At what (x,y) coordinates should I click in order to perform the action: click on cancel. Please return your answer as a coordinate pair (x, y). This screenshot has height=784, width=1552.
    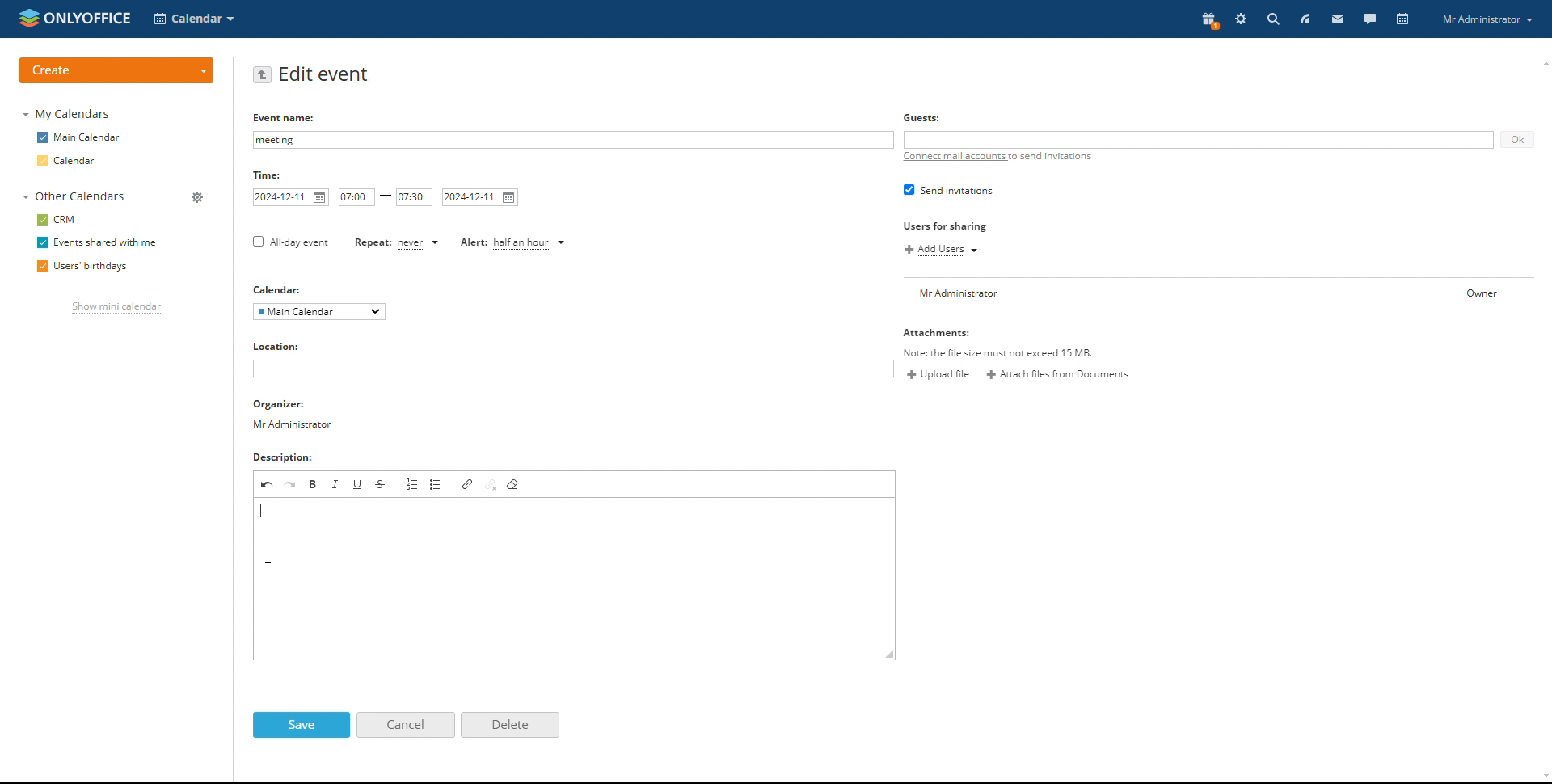
    Looking at the image, I should click on (407, 725).